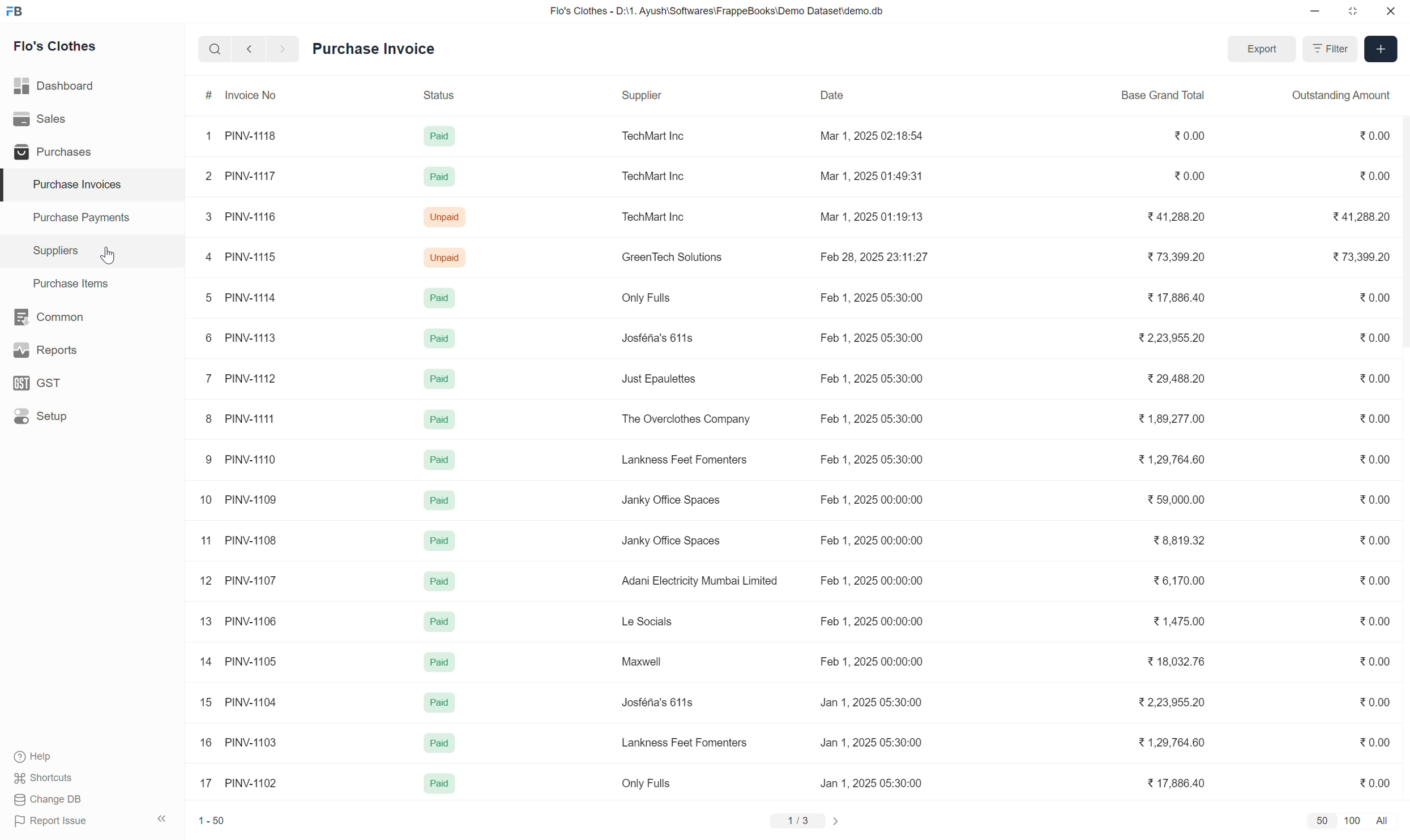 The height and width of the screenshot is (840, 1410). What do you see at coordinates (56, 820) in the screenshot?
I see `Report Issue` at bounding box center [56, 820].